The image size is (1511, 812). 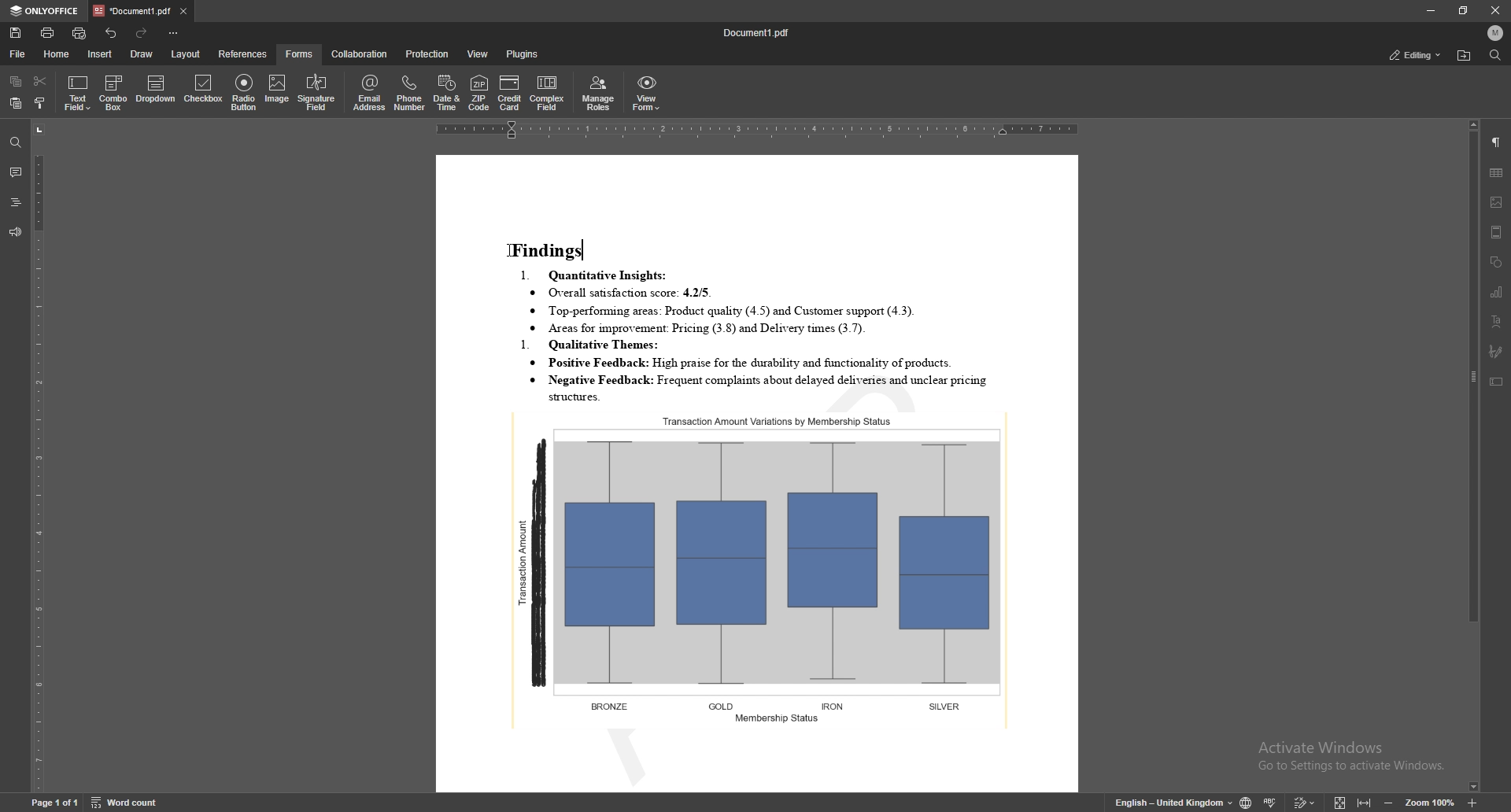 What do you see at coordinates (1495, 33) in the screenshot?
I see `profile` at bounding box center [1495, 33].